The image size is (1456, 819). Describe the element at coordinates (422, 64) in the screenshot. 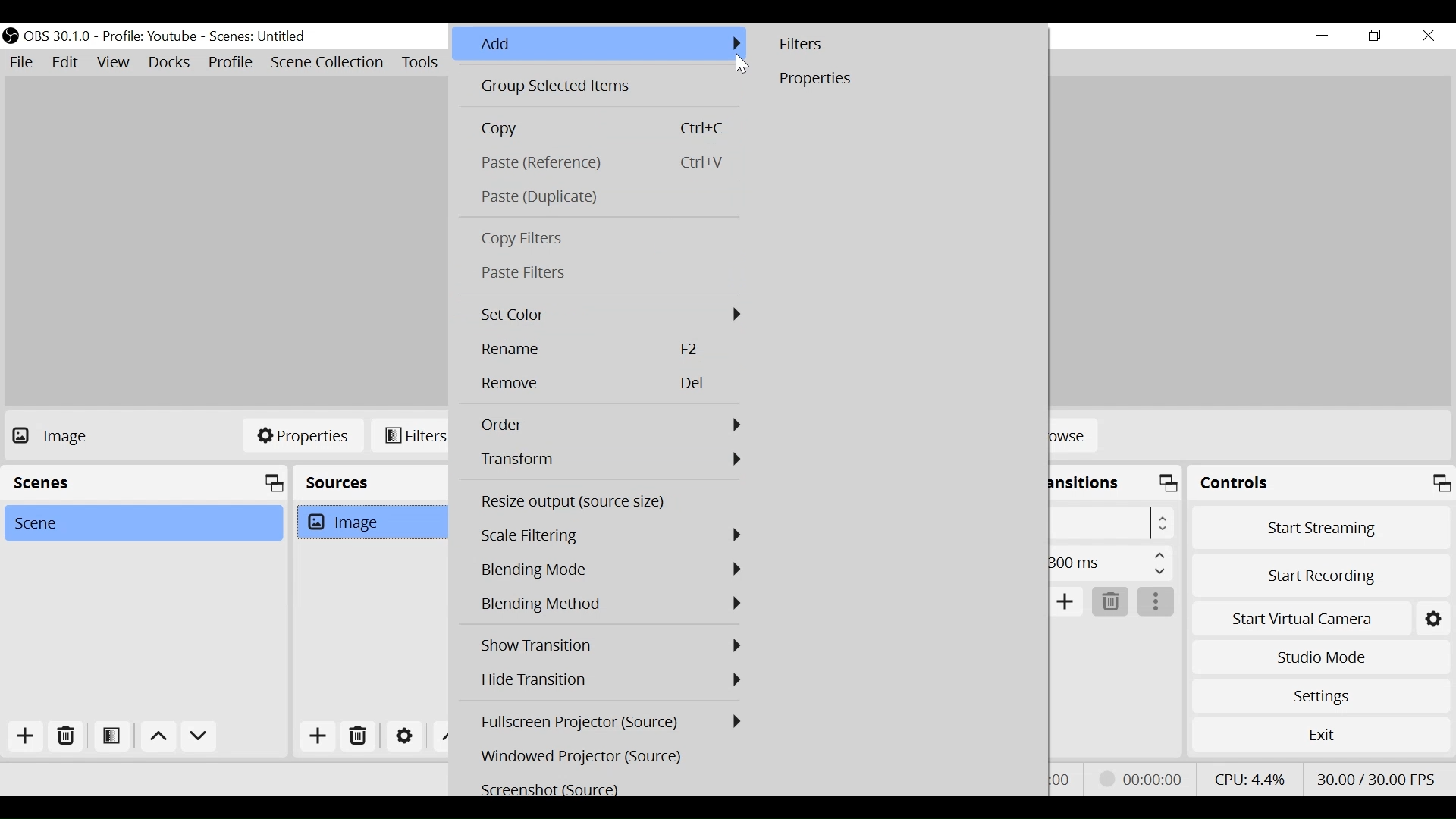

I see `Tools` at that location.